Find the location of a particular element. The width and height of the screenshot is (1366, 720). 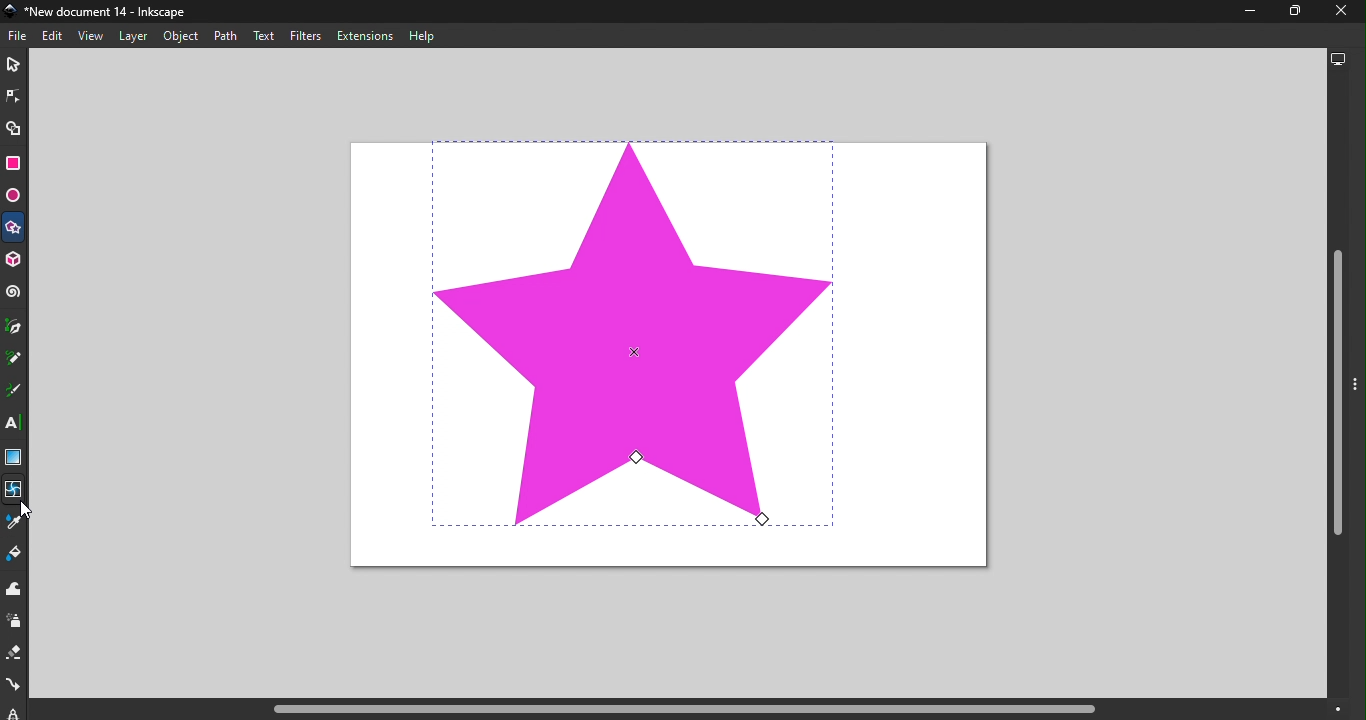

Pencil tool is located at coordinates (14, 361).